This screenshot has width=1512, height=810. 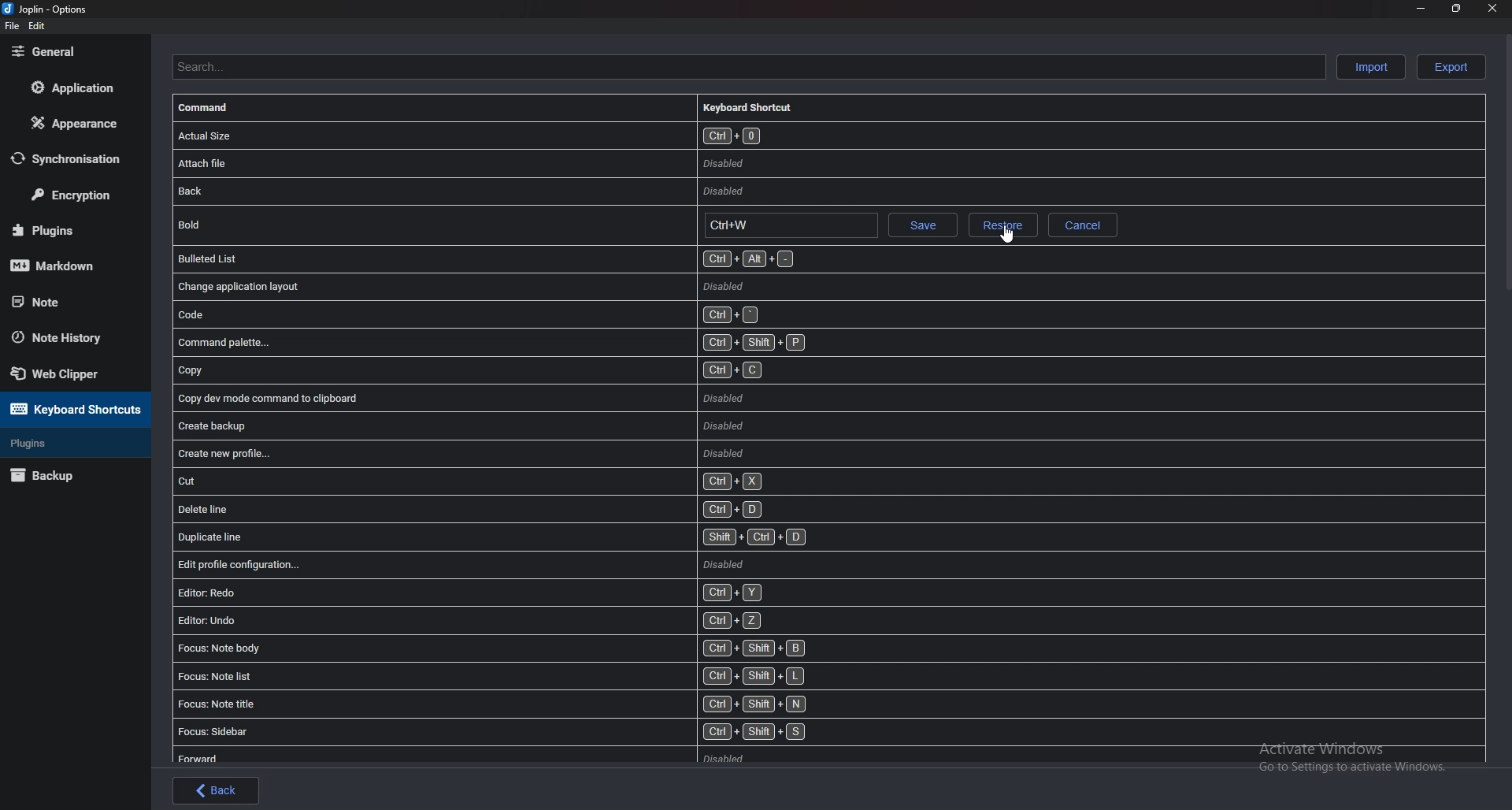 What do you see at coordinates (47, 9) in the screenshot?
I see `joplin - Option` at bounding box center [47, 9].